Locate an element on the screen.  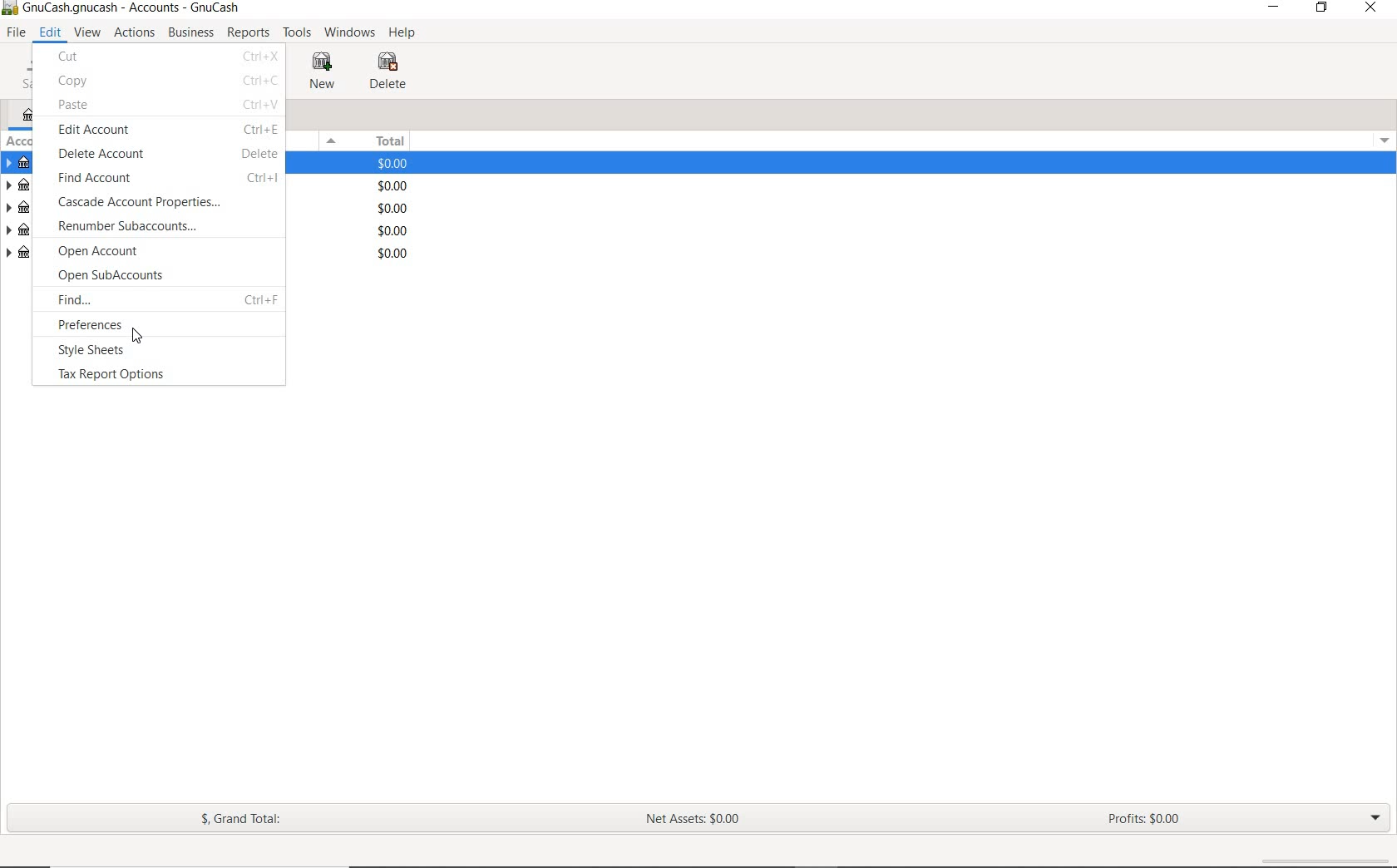
EXPENSES is located at coordinates (362, 230).